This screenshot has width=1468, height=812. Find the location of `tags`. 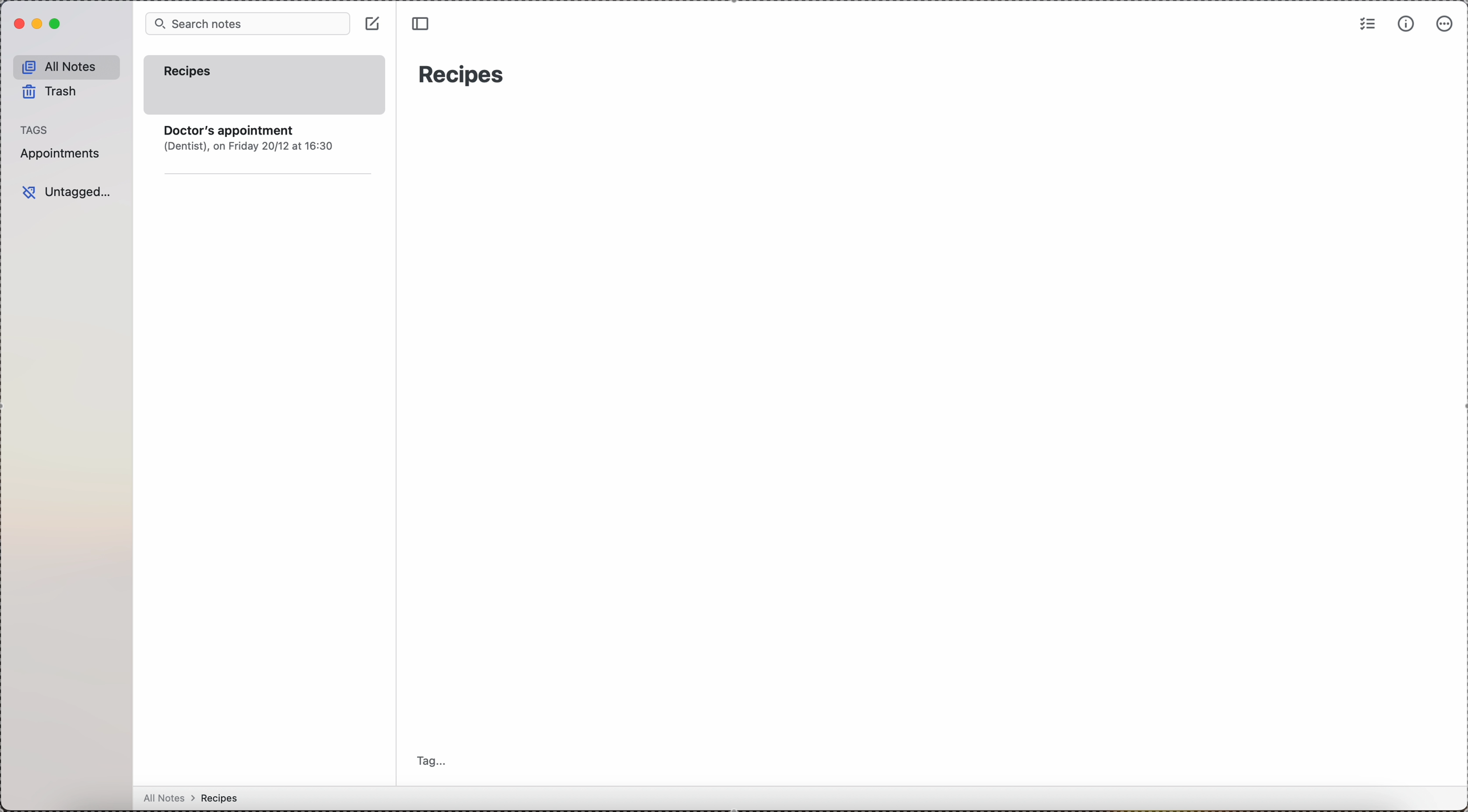

tags is located at coordinates (34, 128).